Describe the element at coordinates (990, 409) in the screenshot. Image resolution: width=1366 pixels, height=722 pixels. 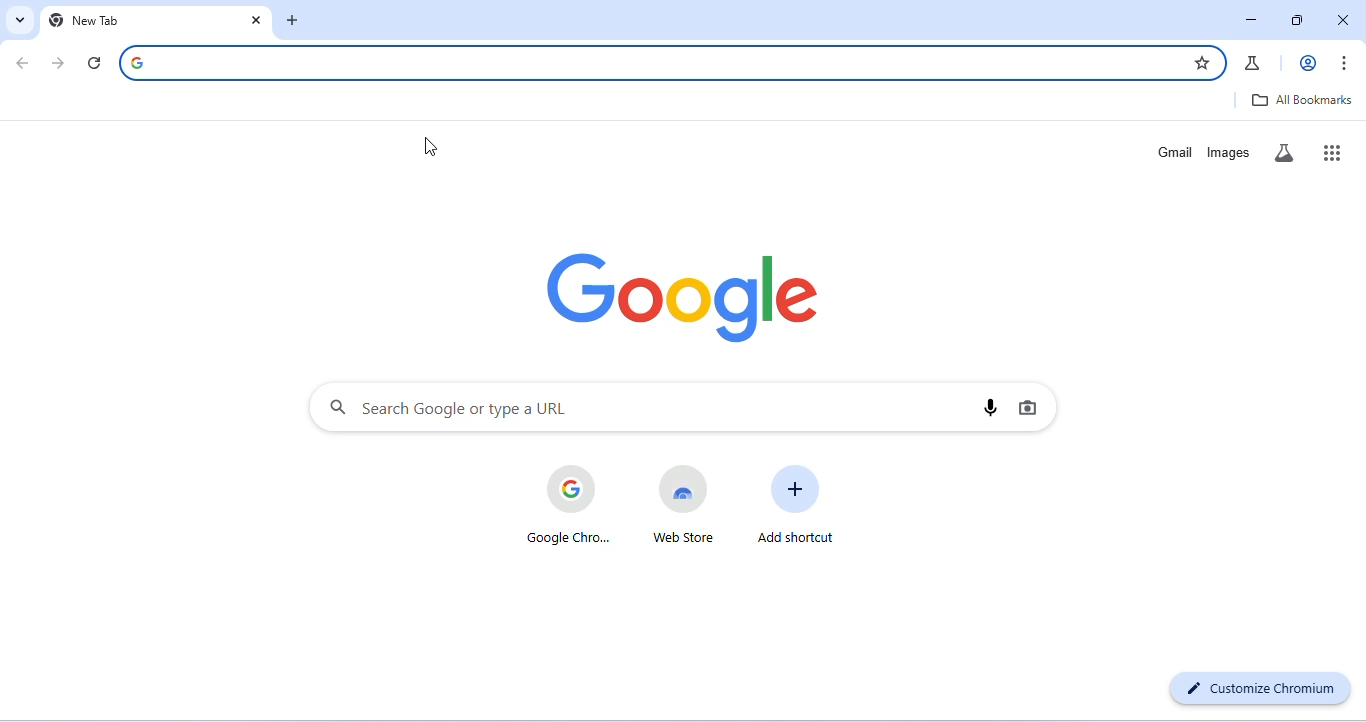
I see `voice search` at that location.